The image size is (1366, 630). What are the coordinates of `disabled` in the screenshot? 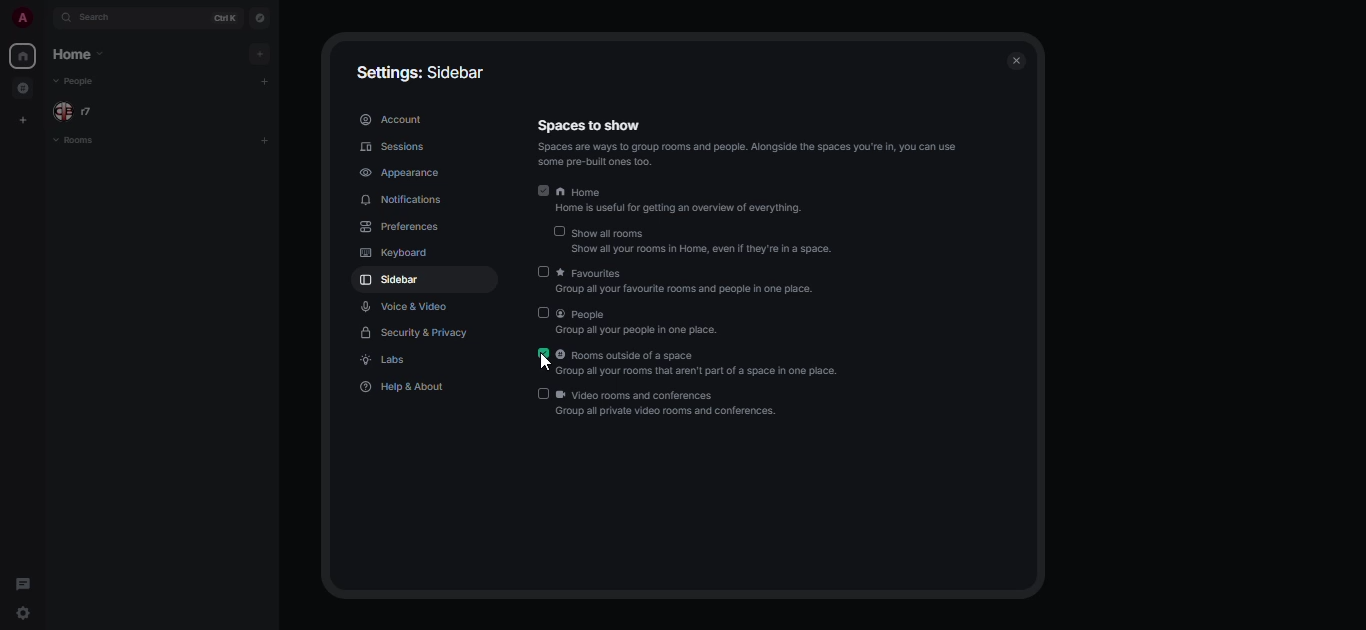 It's located at (543, 393).